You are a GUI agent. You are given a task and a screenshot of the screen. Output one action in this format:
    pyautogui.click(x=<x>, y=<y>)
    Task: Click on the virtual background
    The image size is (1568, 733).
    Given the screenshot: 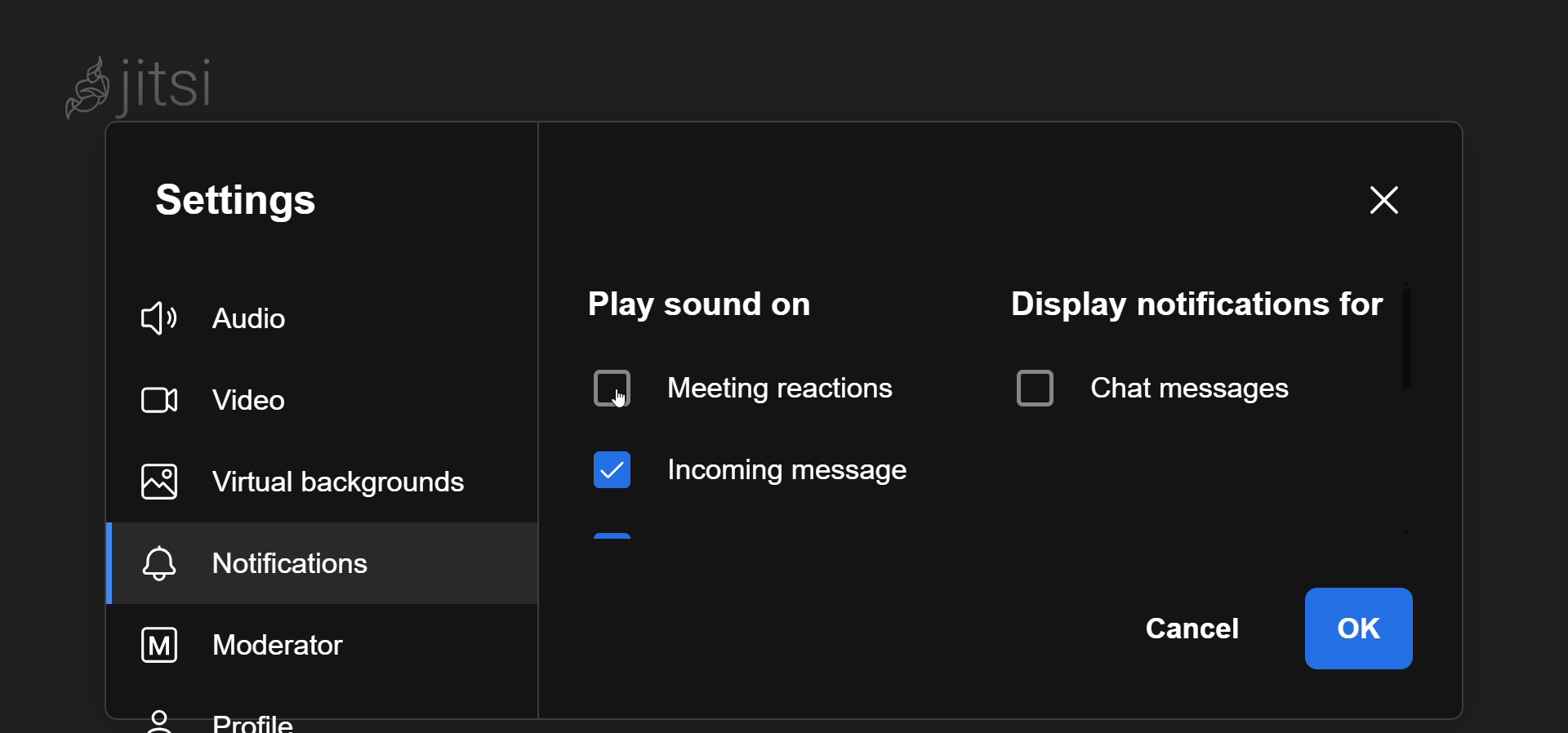 What is the action you would take?
    pyautogui.click(x=327, y=483)
    